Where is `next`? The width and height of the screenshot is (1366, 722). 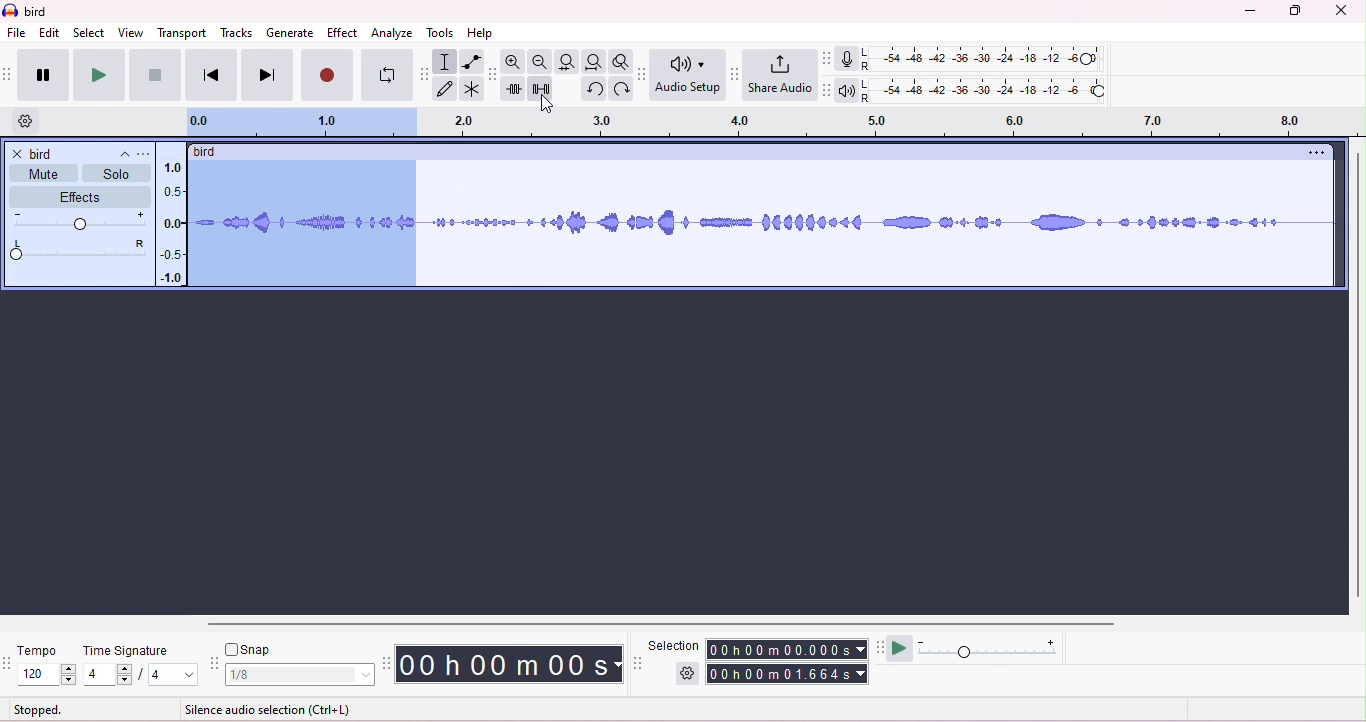
next is located at coordinates (268, 75).